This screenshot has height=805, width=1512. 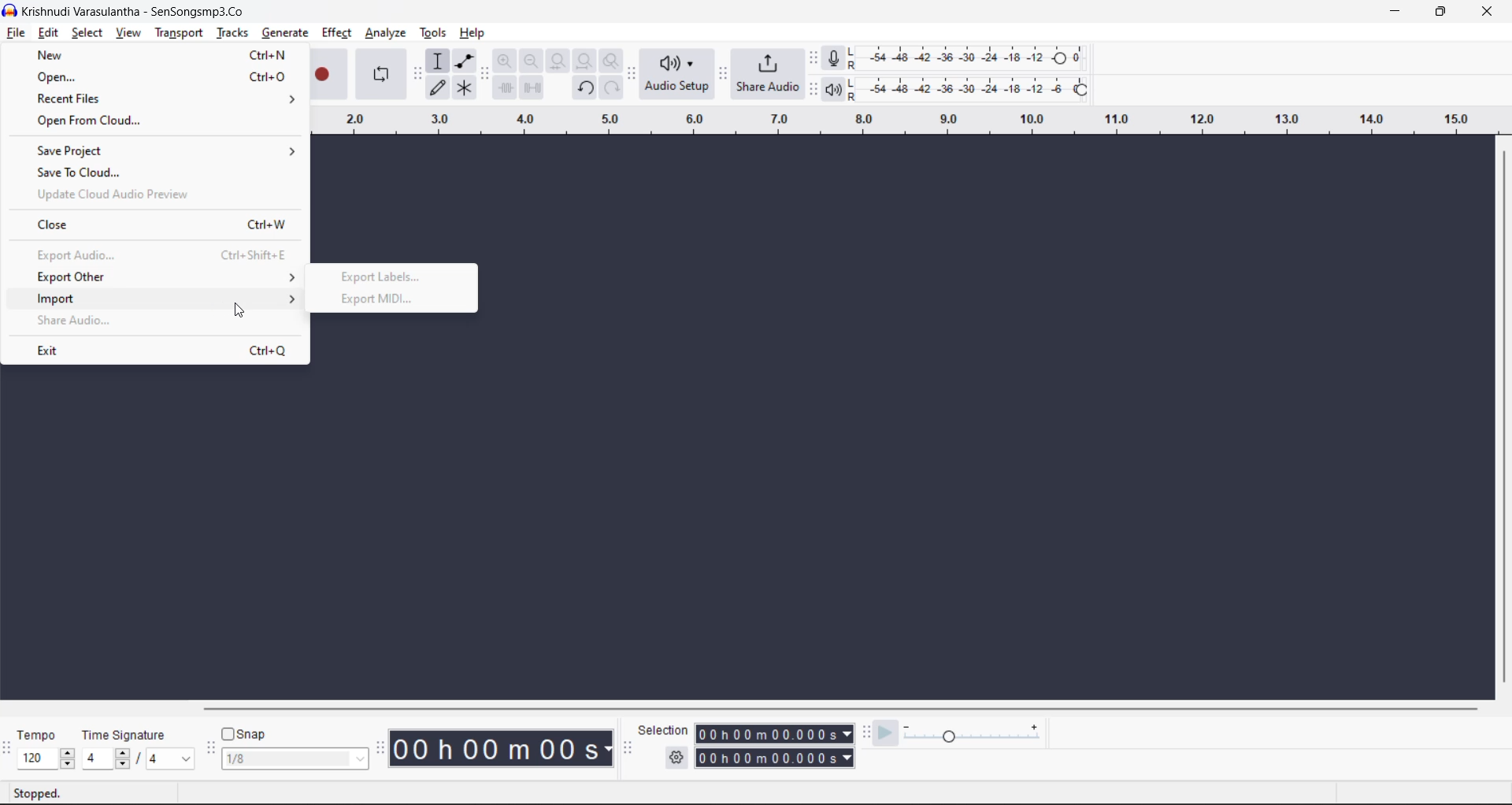 What do you see at coordinates (9, 12) in the screenshot?
I see `logo` at bounding box center [9, 12].